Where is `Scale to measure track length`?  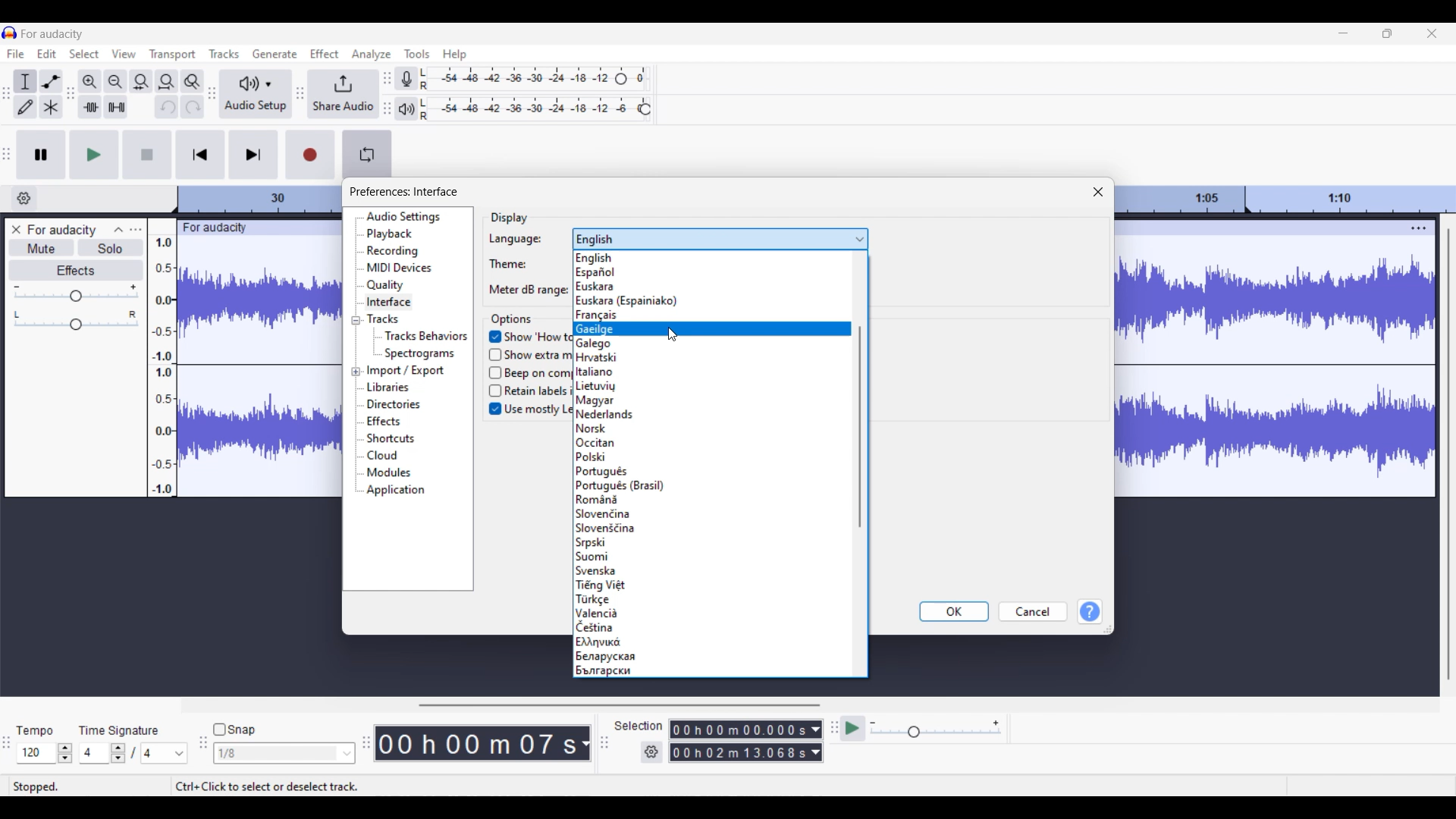
Scale to measure track length is located at coordinates (1288, 199).